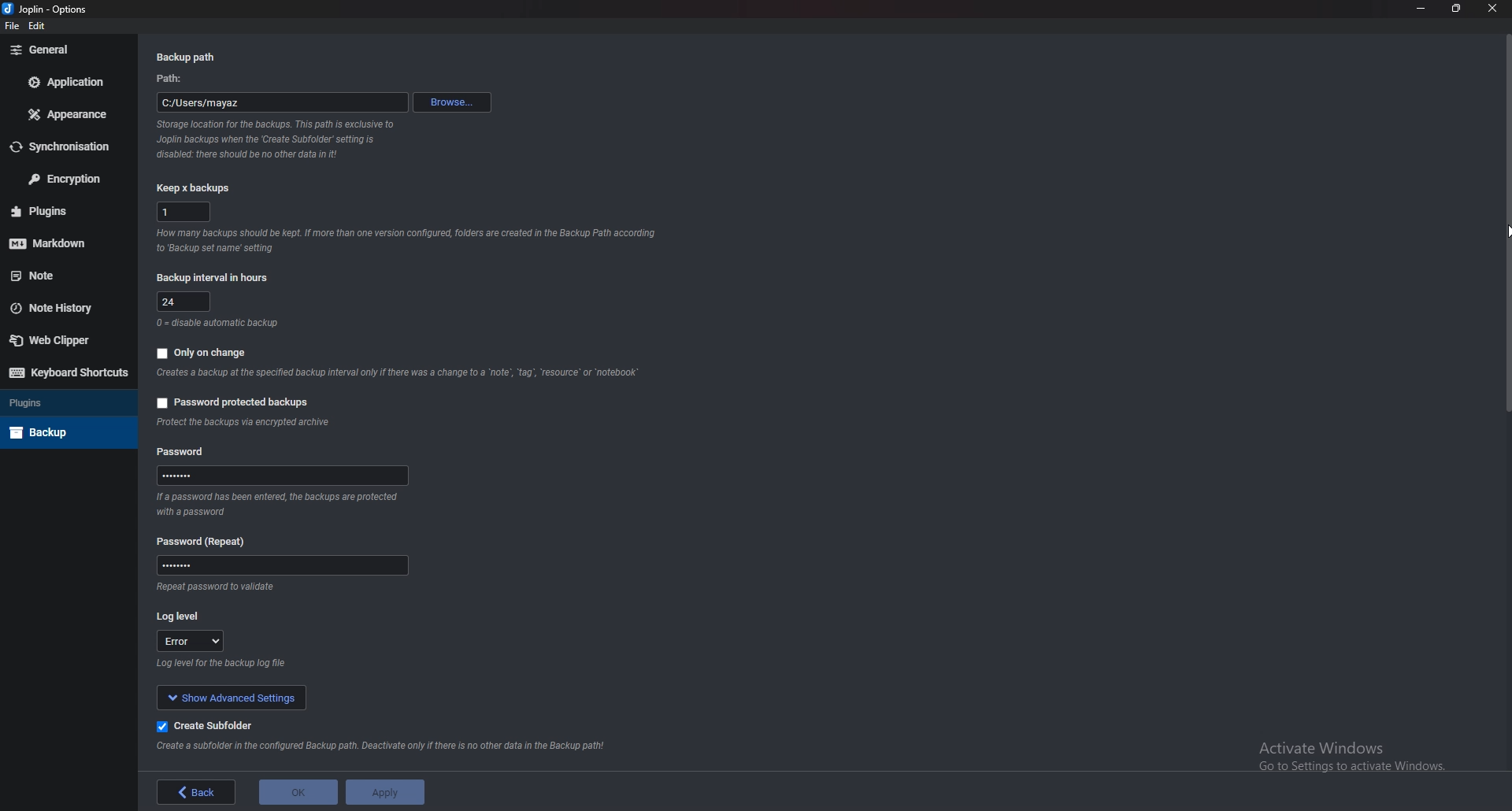 The height and width of the screenshot is (811, 1512). Describe the element at coordinates (206, 542) in the screenshot. I see `Password (repeat)` at that location.